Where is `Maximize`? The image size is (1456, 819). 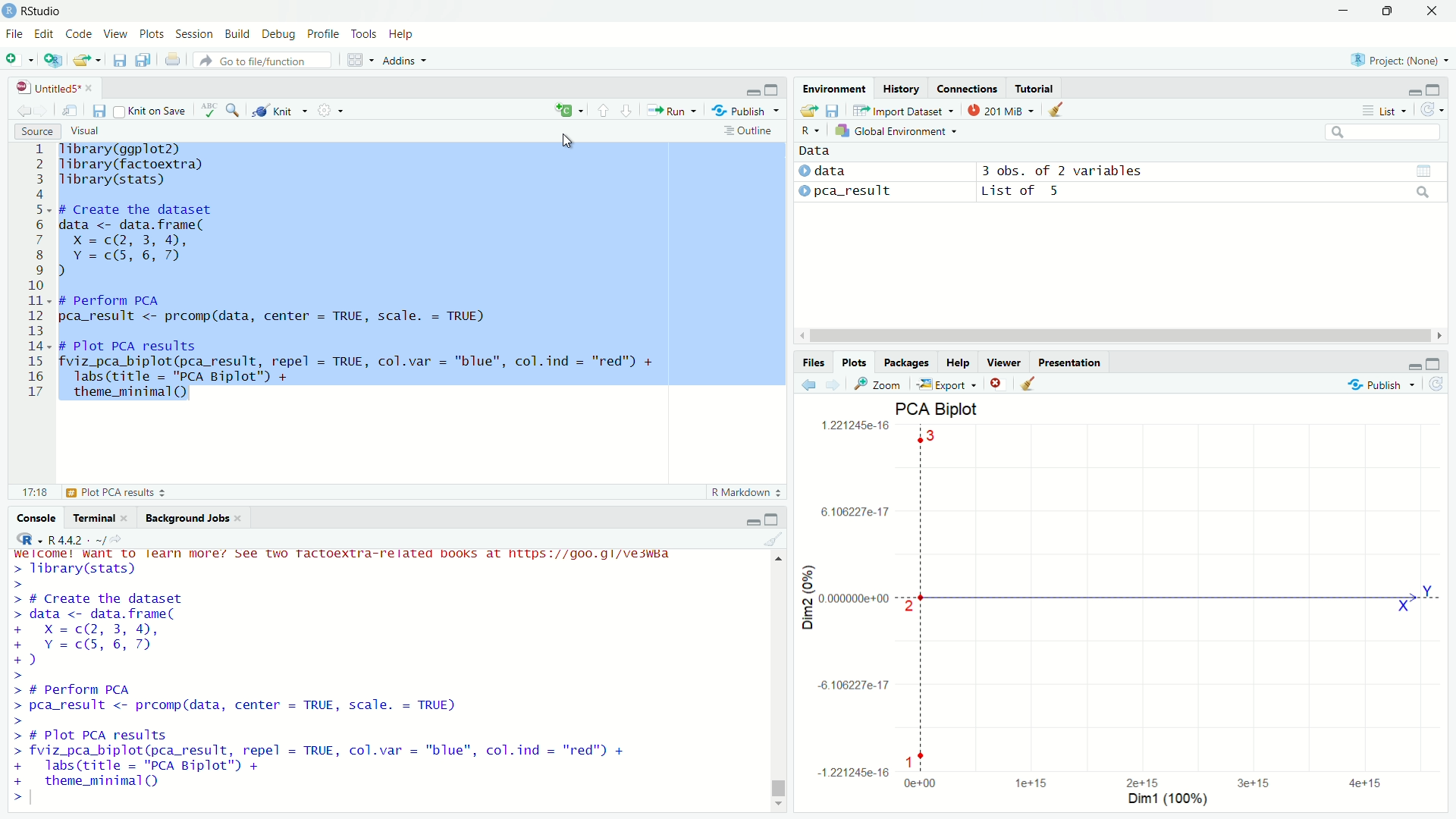 Maximize is located at coordinates (1385, 11).